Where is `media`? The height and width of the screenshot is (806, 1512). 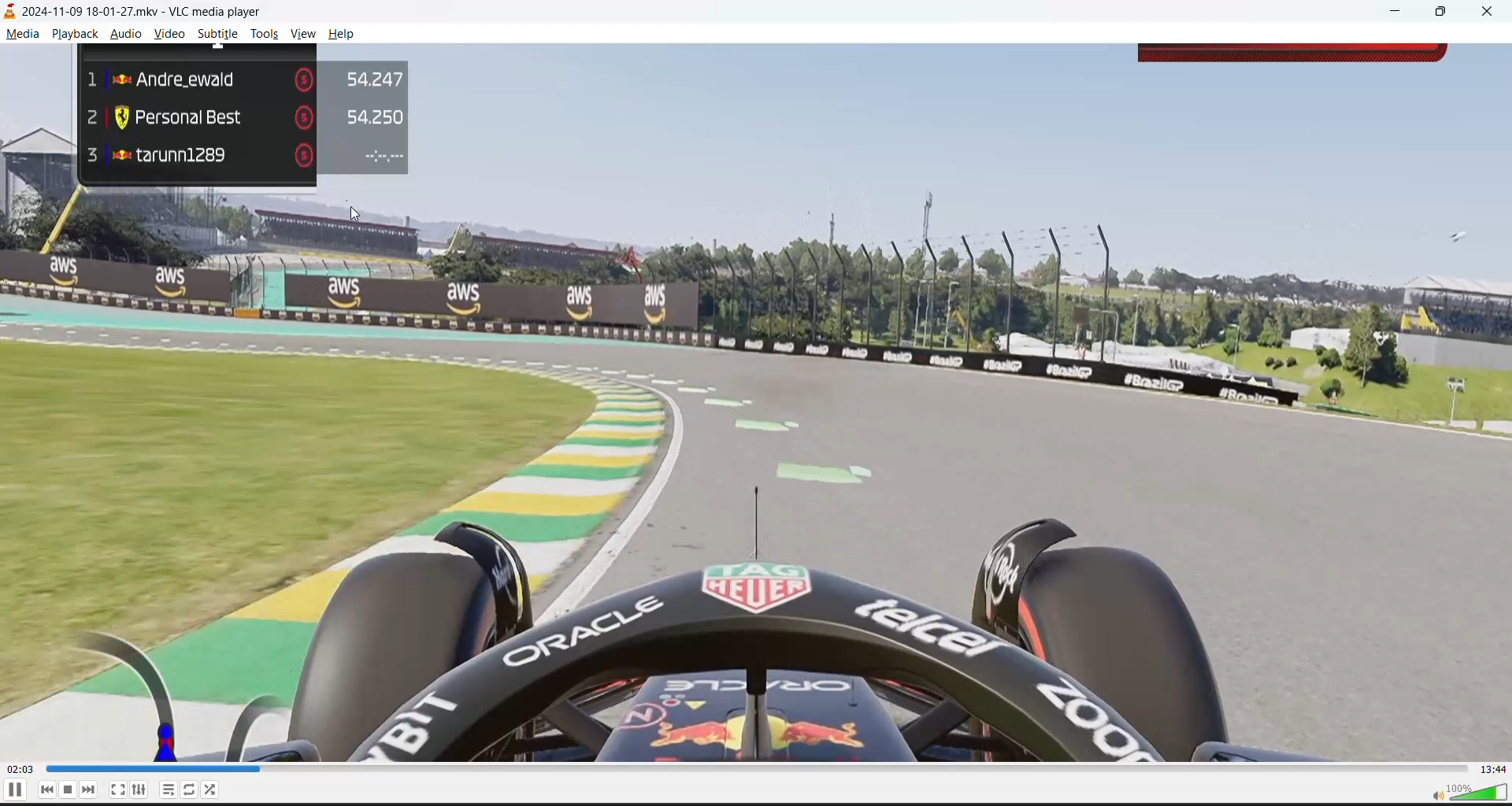
media is located at coordinates (22, 35).